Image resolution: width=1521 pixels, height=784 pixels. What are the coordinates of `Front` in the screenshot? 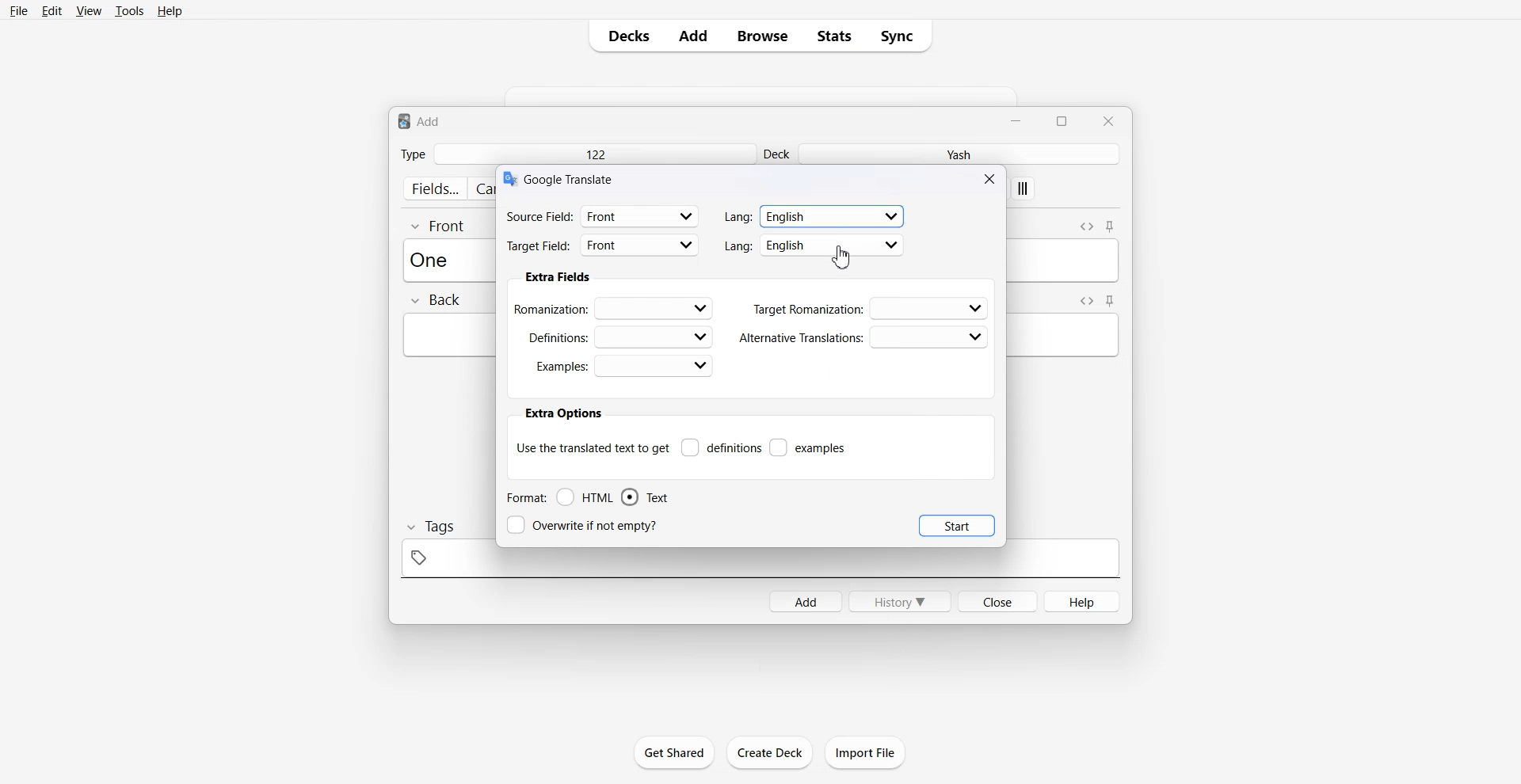 It's located at (439, 225).